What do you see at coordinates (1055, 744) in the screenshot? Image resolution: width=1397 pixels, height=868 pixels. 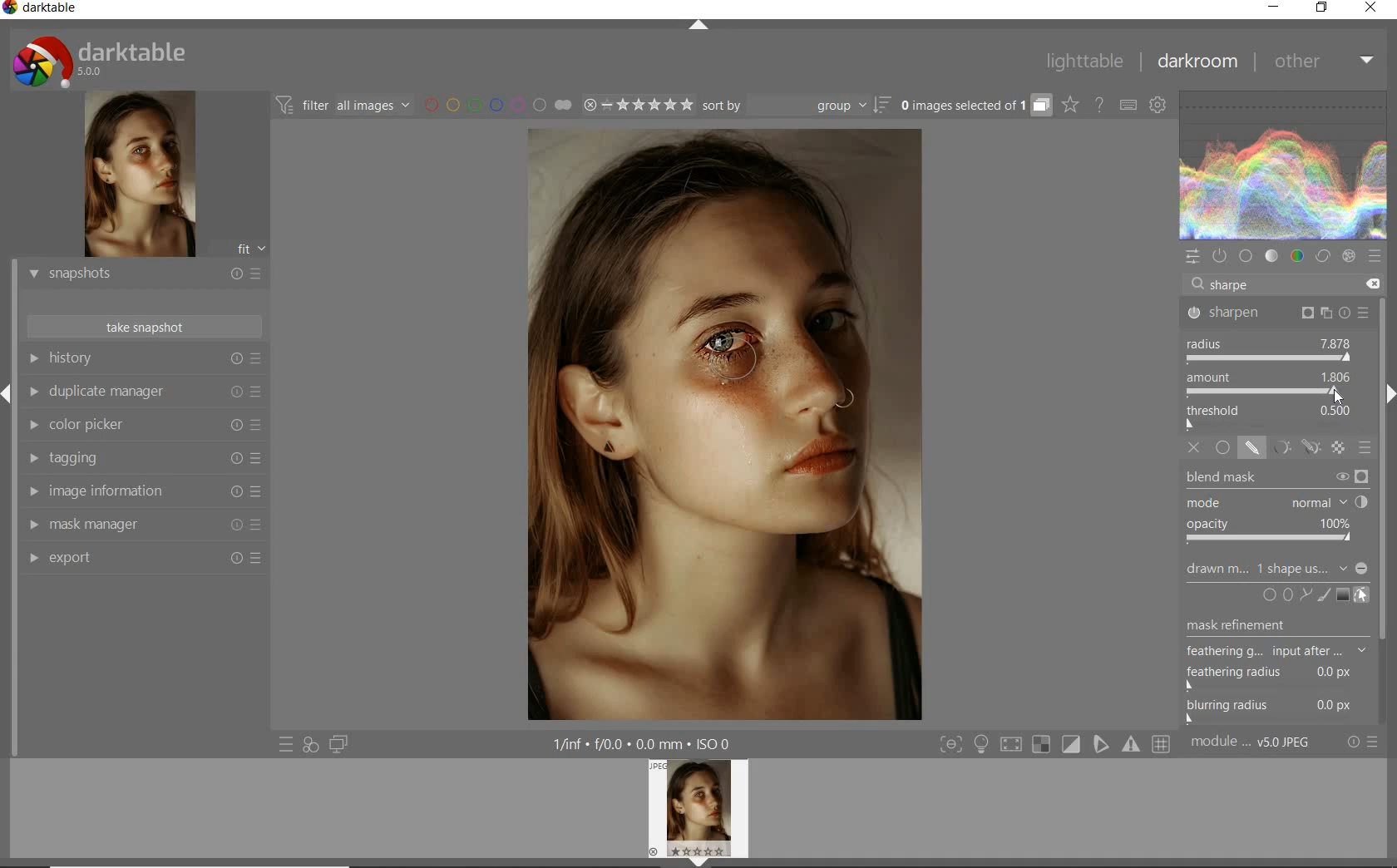 I see `toggle modes` at bounding box center [1055, 744].